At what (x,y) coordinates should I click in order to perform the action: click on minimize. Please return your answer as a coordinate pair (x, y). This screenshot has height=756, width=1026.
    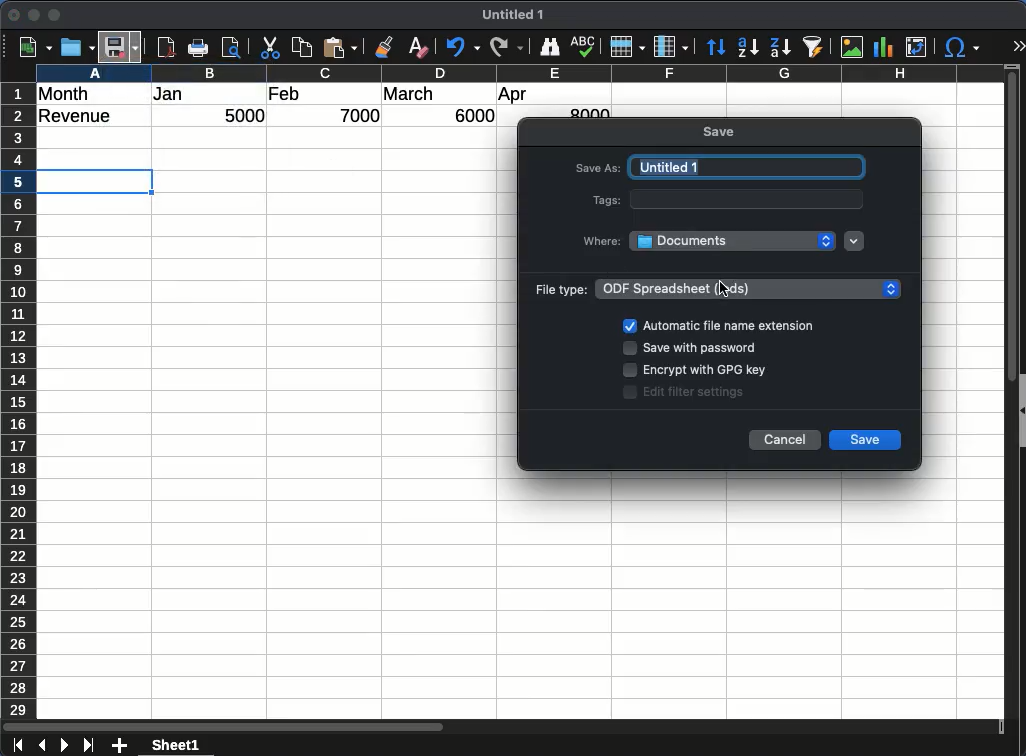
    Looking at the image, I should click on (35, 15).